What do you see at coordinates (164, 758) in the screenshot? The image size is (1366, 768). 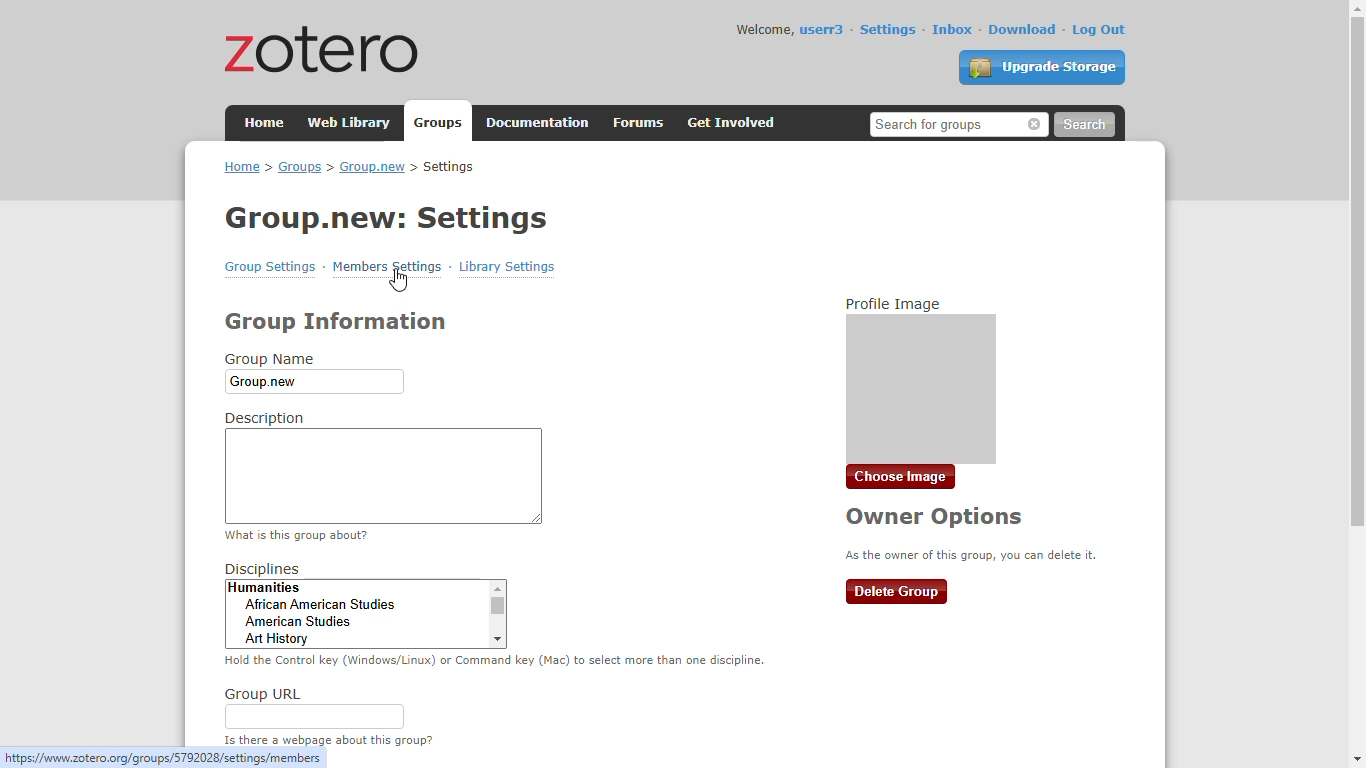 I see `link` at bounding box center [164, 758].